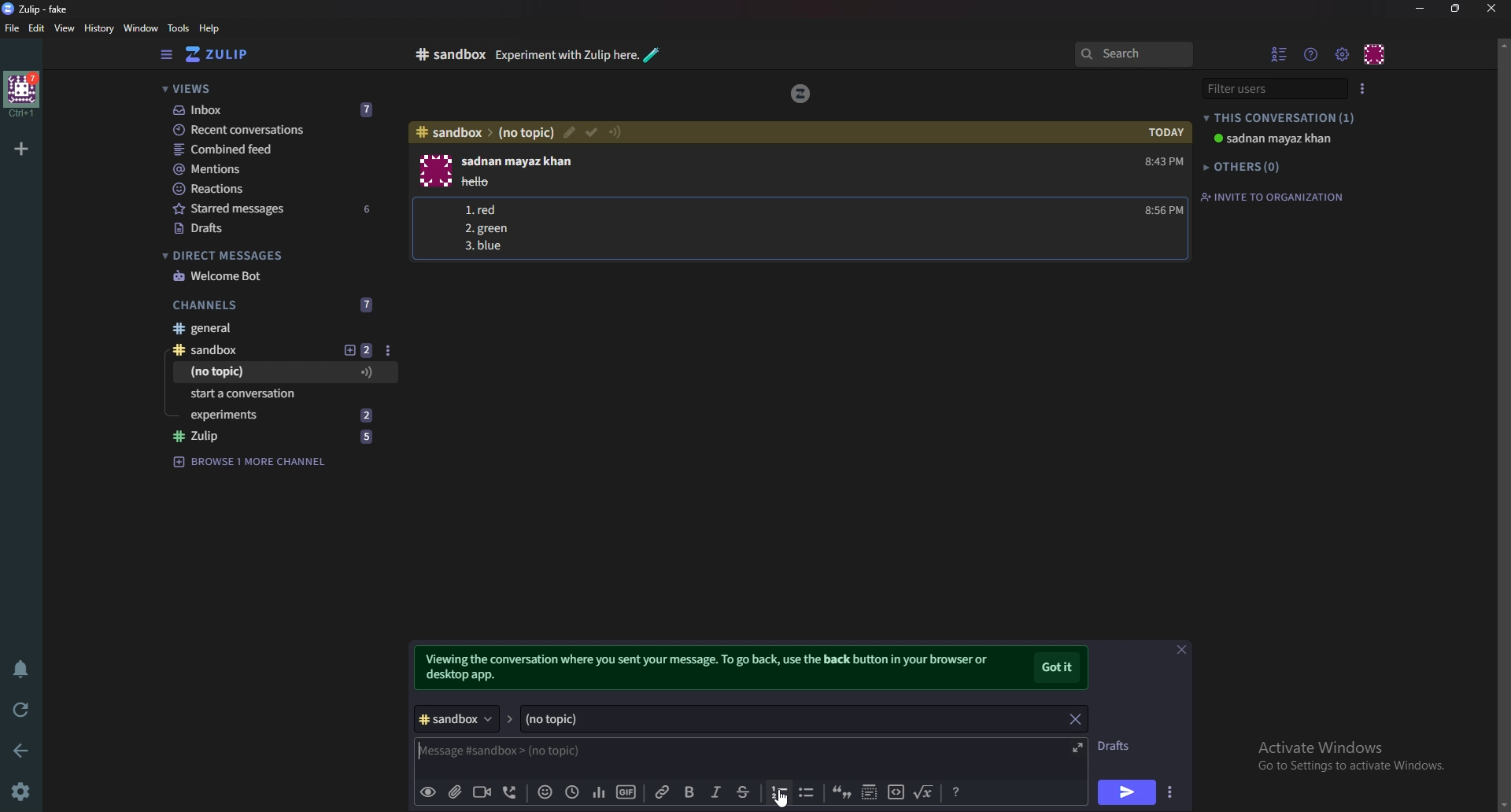  I want to click on Reactions, so click(273, 187).